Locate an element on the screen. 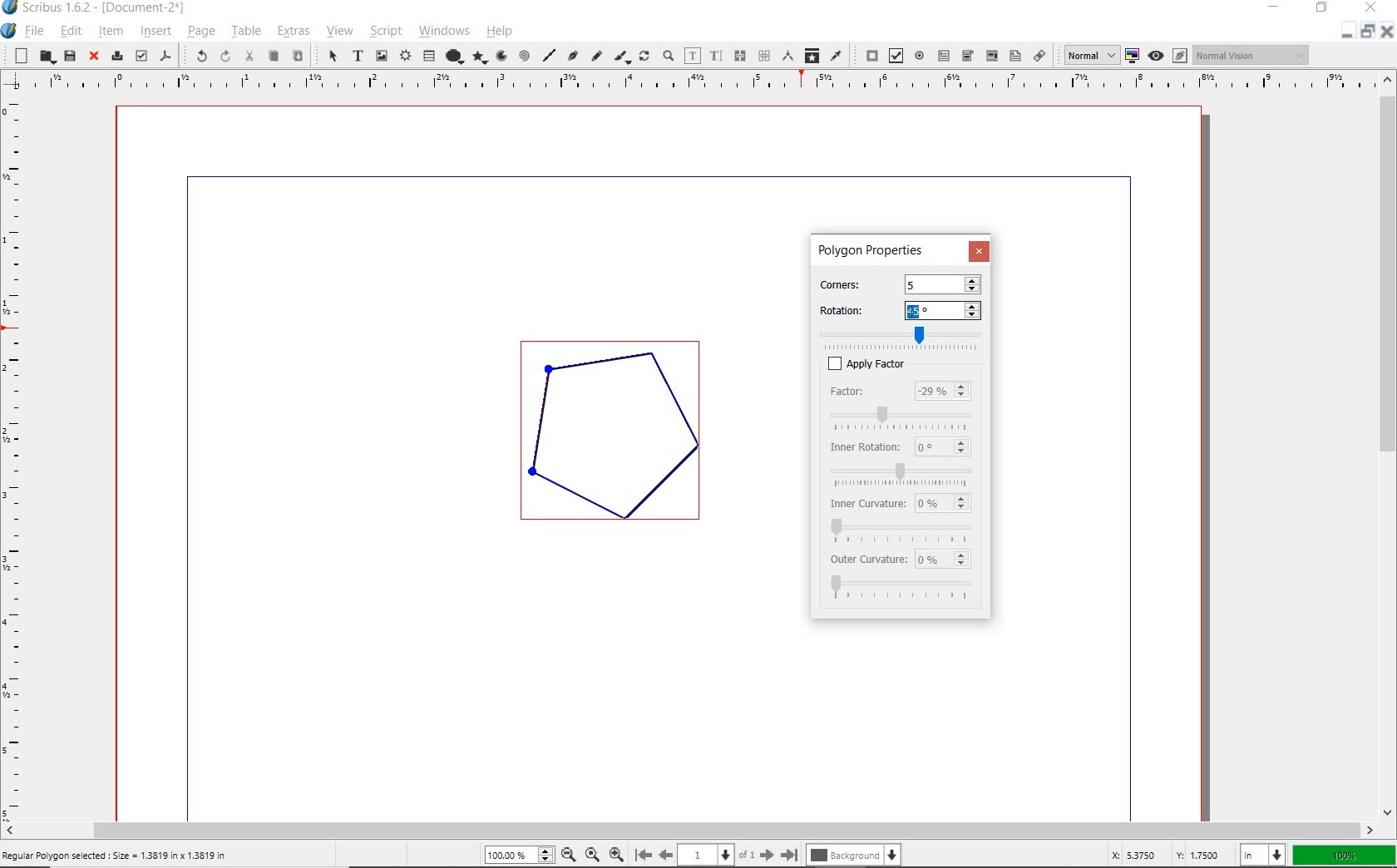 The height and width of the screenshot is (868, 1397). copy item properties is located at coordinates (813, 57).